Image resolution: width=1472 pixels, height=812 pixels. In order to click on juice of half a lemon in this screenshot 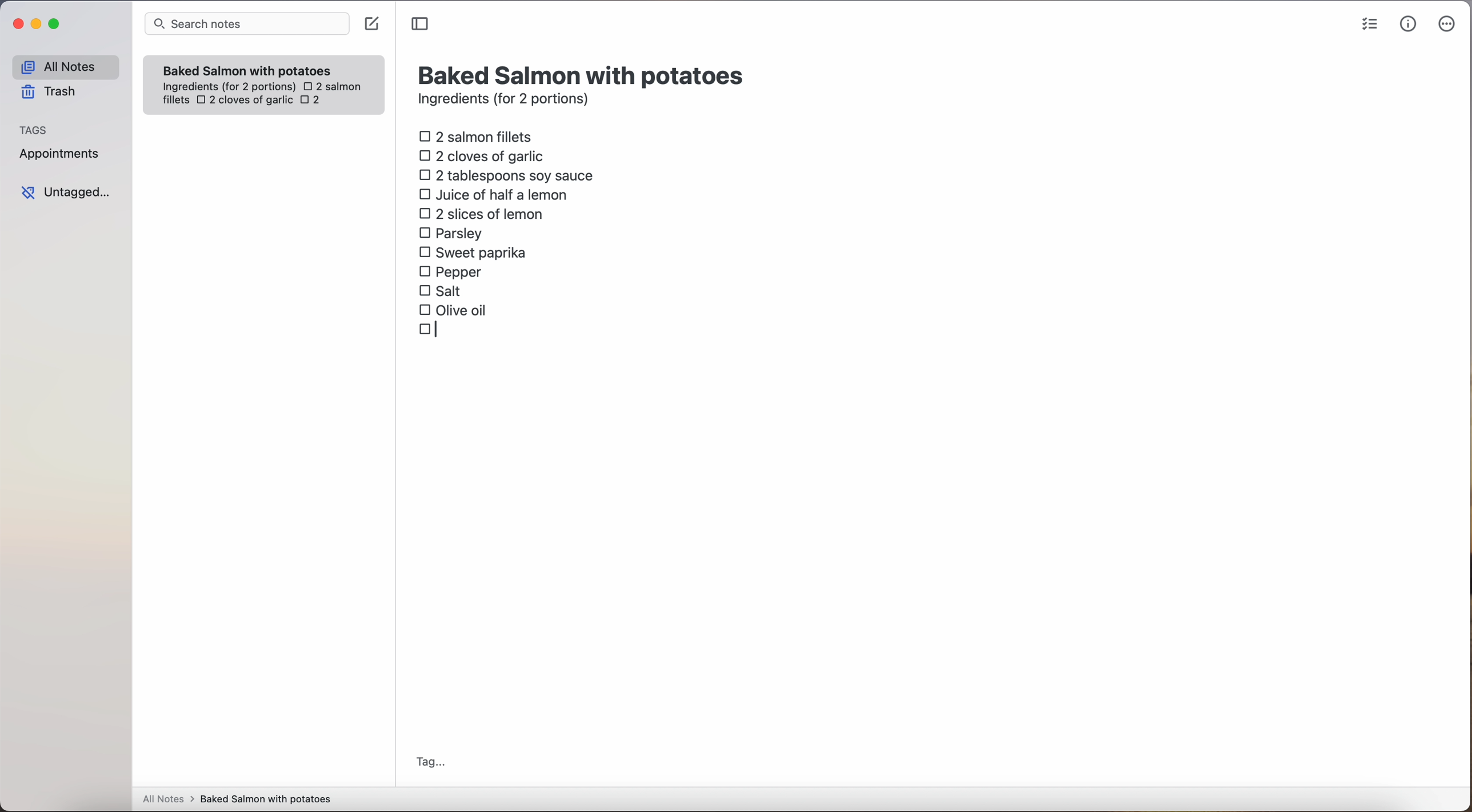, I will do `click(497, 194)`.